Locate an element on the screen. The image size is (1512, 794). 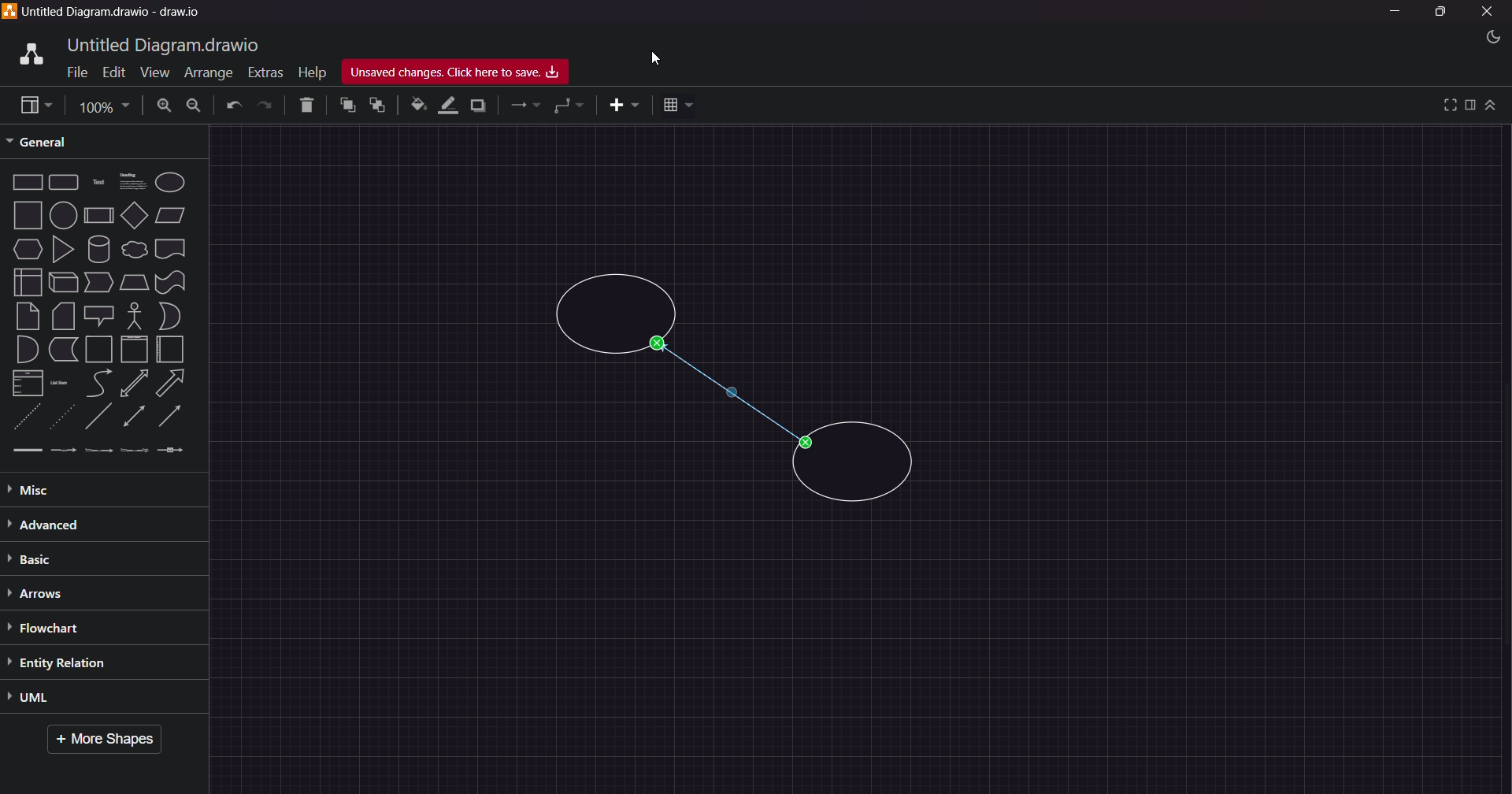
Arrange is located at coordinates (205, 74).